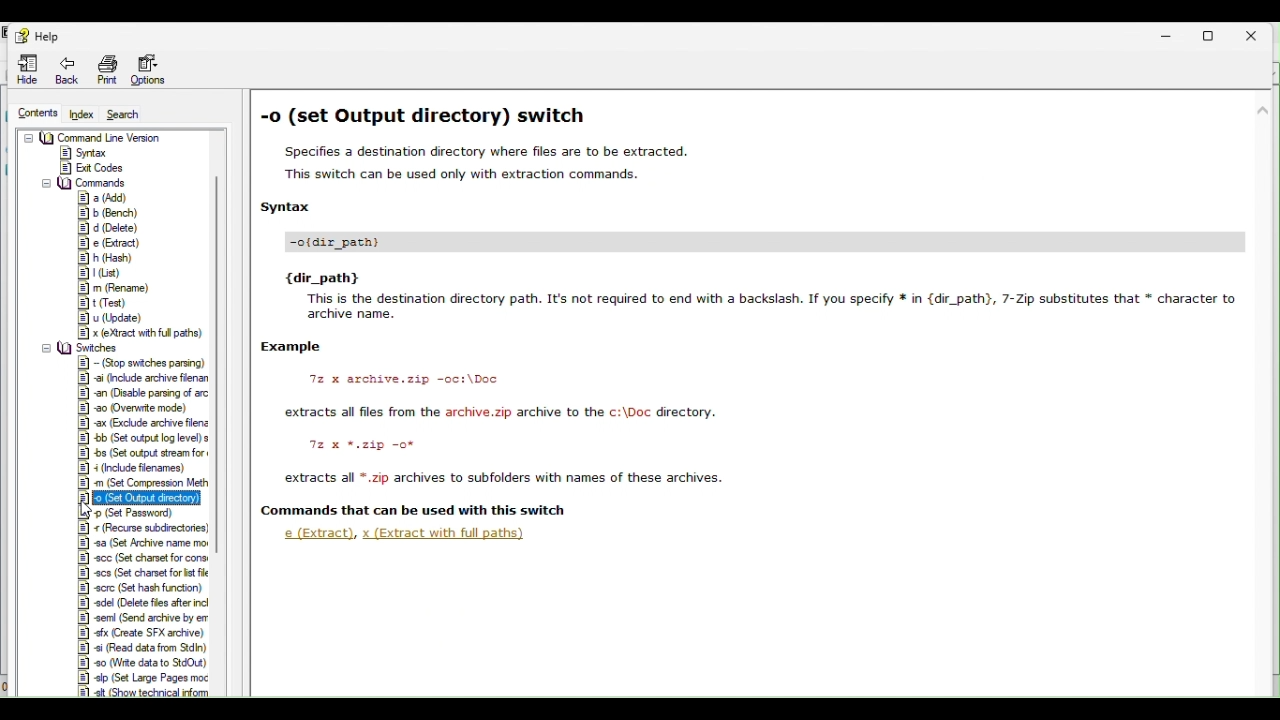 Image resolution: width=1280 pixels, height=720 pixels. Describe the element at coordinates (140, 380) in the screenshot. I see `Include archive` at that location.